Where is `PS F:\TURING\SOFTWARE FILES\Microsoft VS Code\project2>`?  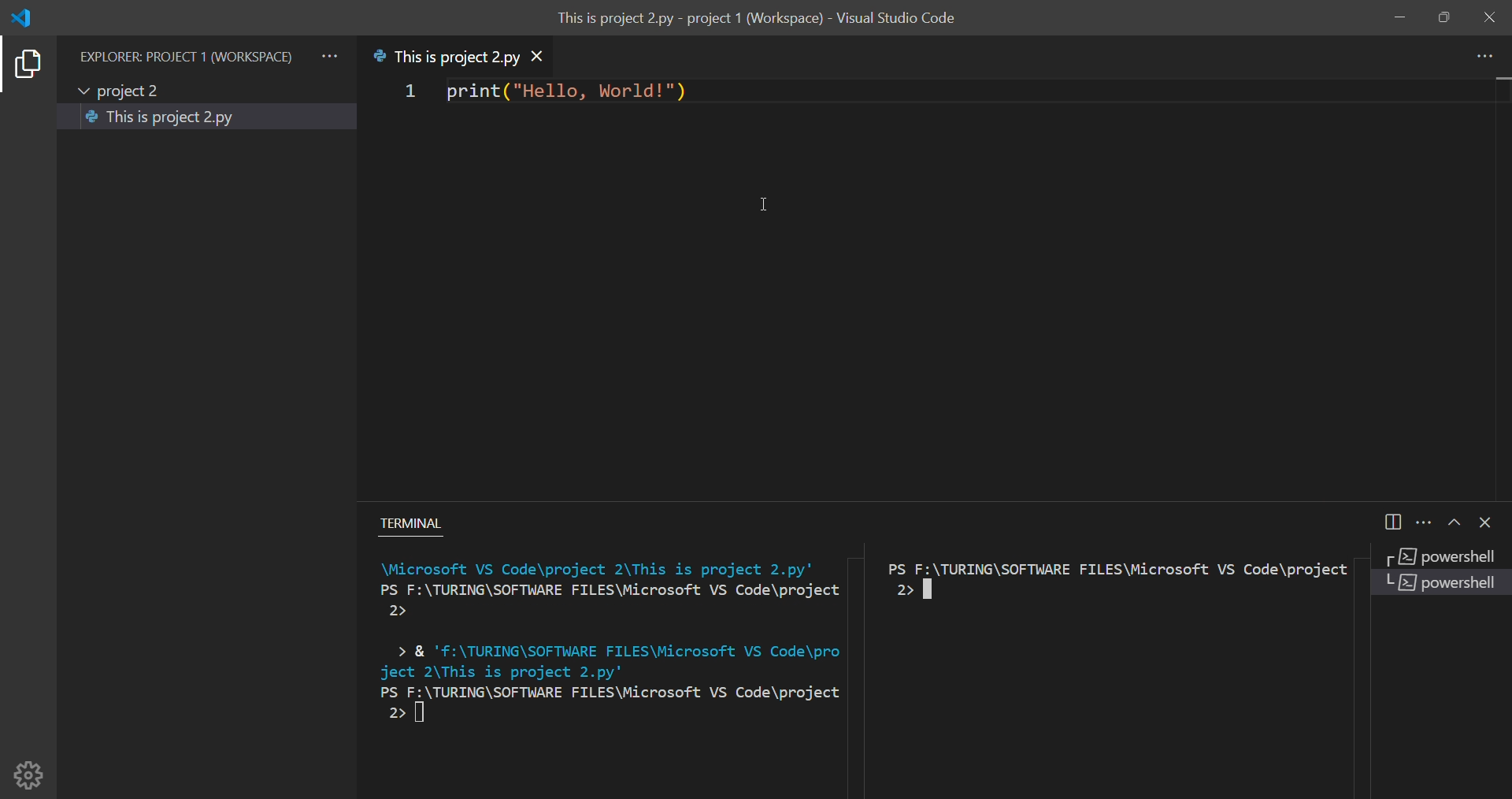
PS F:\TURING\SOFTWARE FILES\Microsoft VS Code\project2> is located at coordinates (1110, 582).